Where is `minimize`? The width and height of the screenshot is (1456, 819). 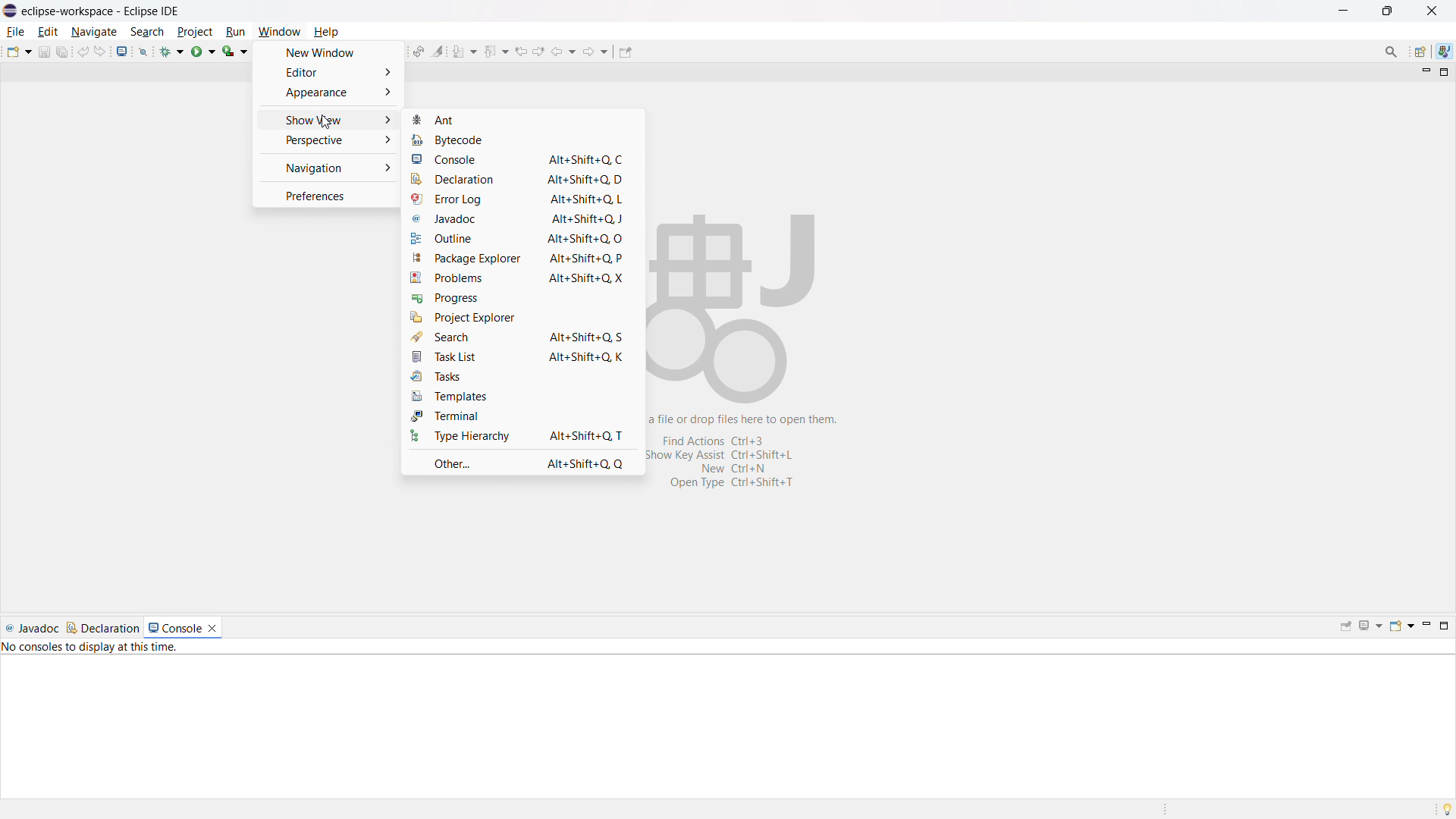
minimize is located at coordinates (1427, 626).